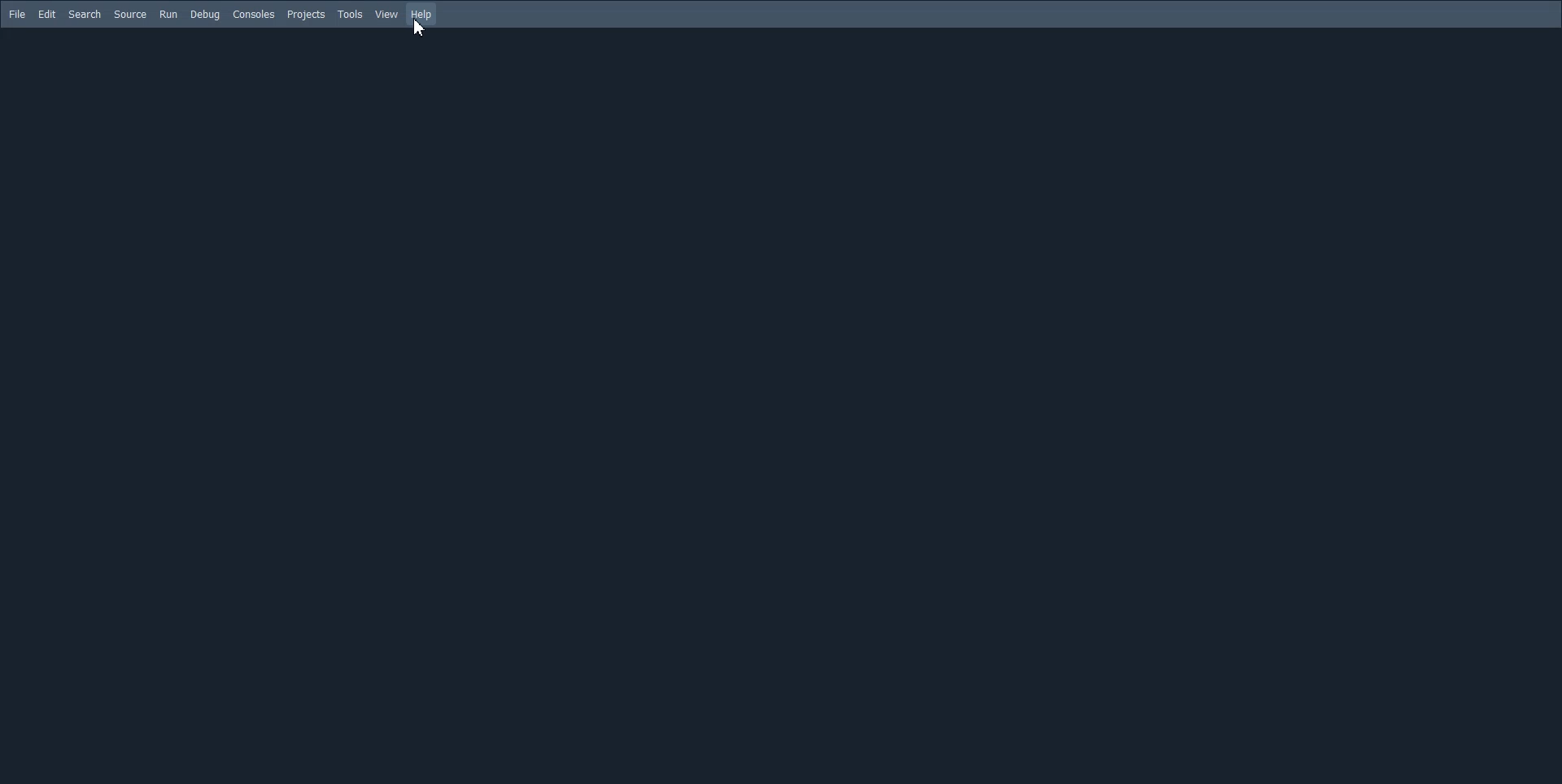  Describe the element at coordinates (205, 15) in the screenshot. I see `Debug` at that location.